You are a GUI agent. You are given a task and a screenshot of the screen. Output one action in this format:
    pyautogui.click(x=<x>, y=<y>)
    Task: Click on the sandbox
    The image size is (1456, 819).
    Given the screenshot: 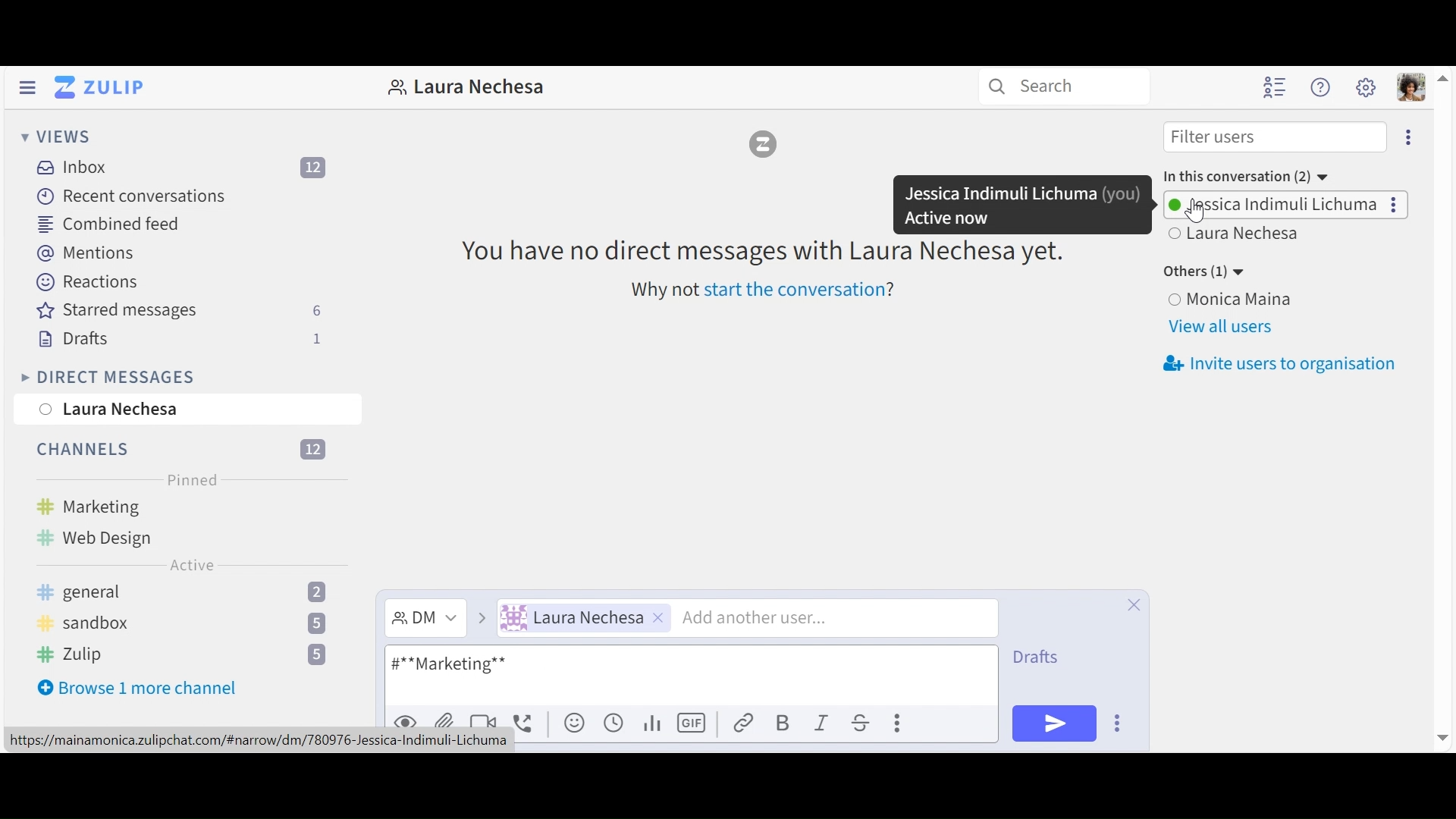 What is the action you would take?
    pyautogui.click(x=187, y=622)
    